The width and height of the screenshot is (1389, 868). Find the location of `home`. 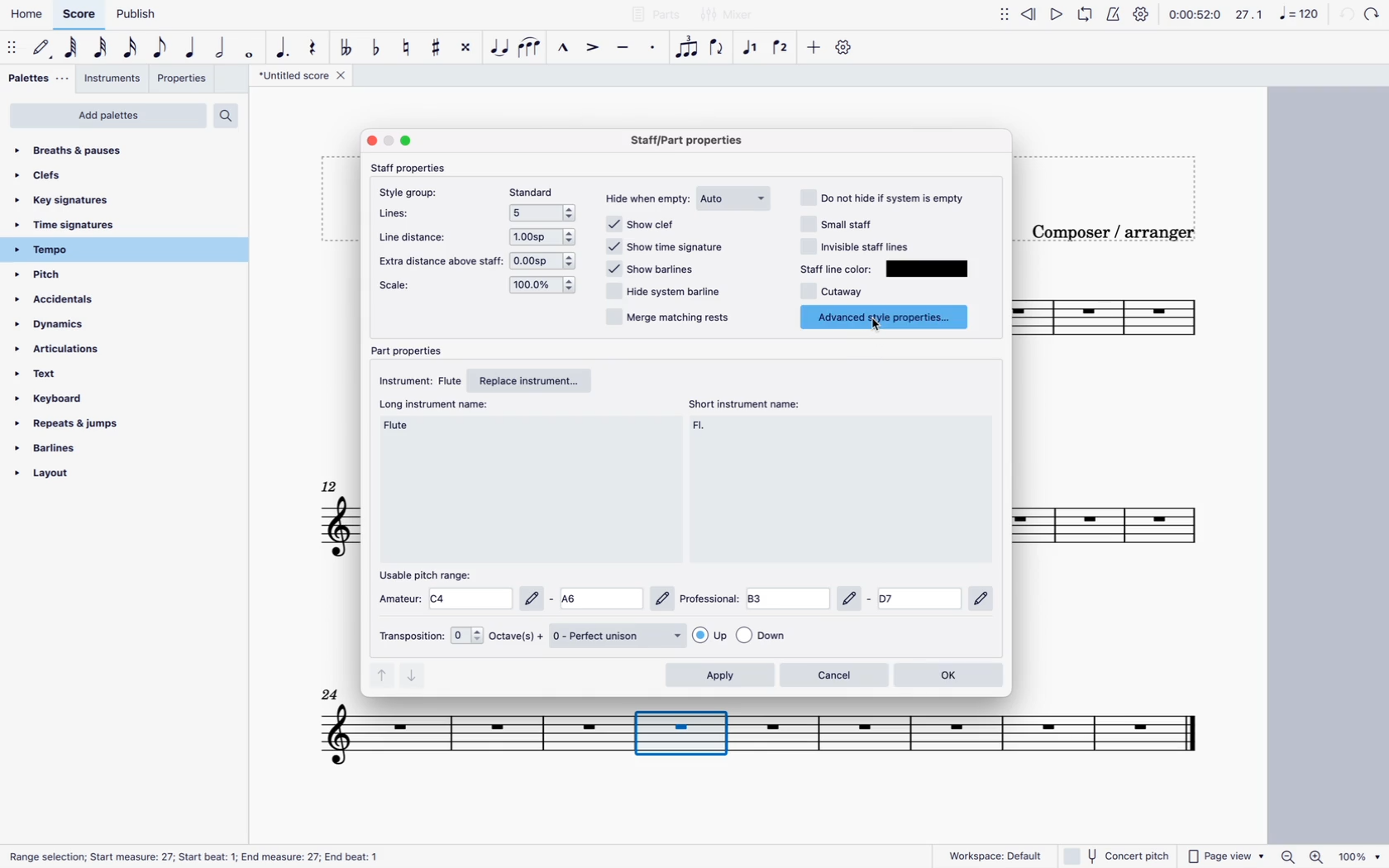

home is located at coordinates (29, 13).